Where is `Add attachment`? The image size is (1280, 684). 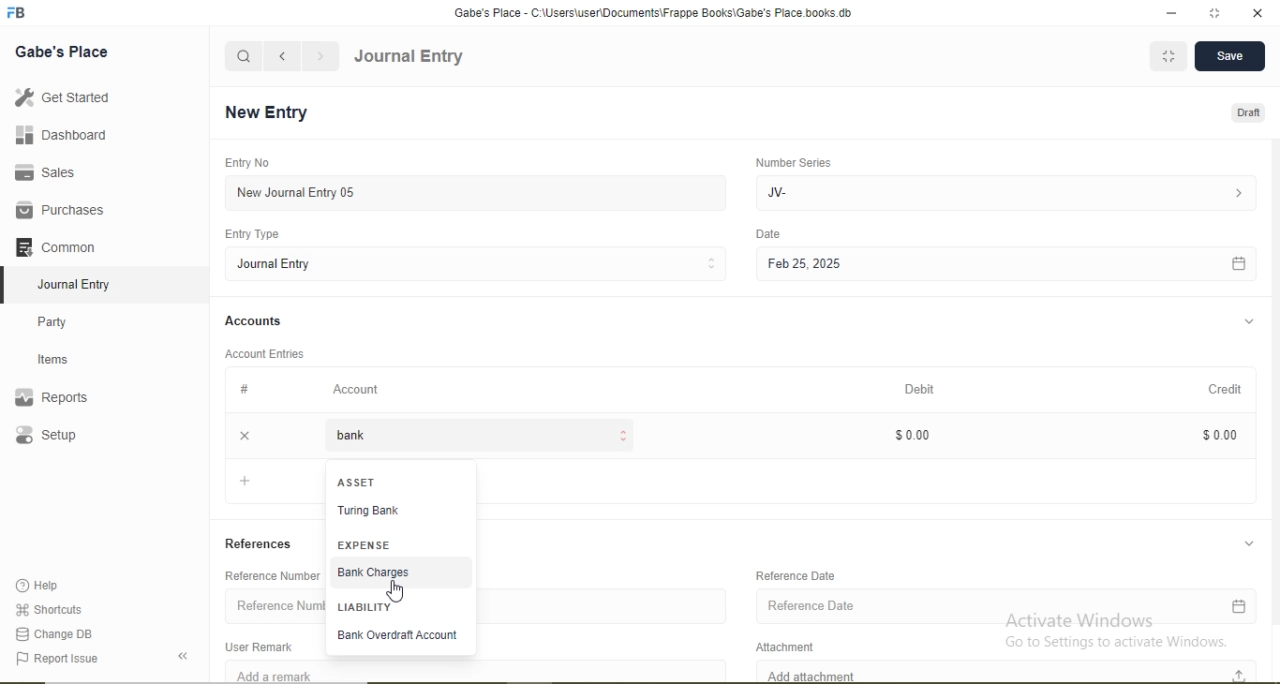 Add attachment is located at coordinates (995, 671).